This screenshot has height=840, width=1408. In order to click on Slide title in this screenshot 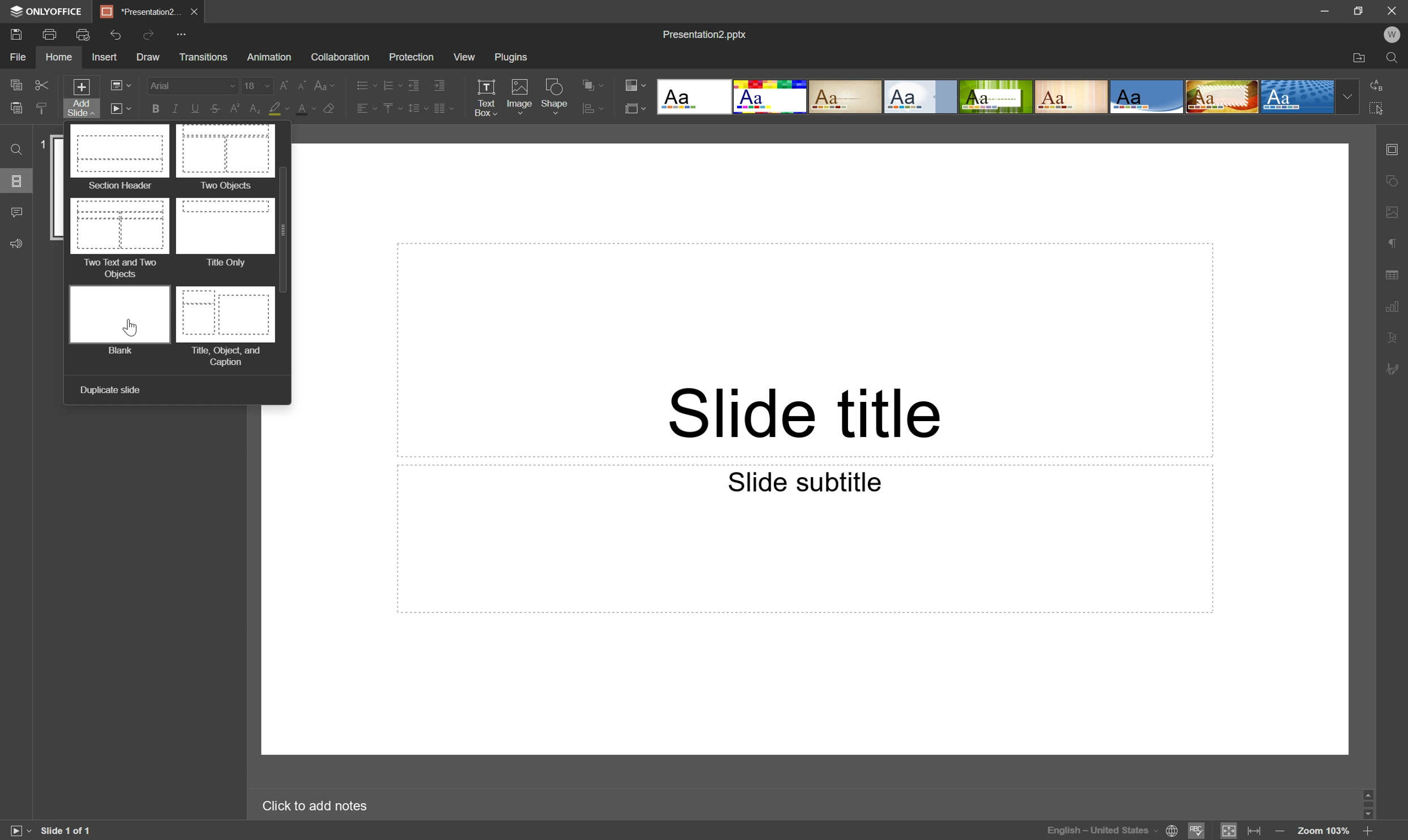, I will do `click(808, 411)`.